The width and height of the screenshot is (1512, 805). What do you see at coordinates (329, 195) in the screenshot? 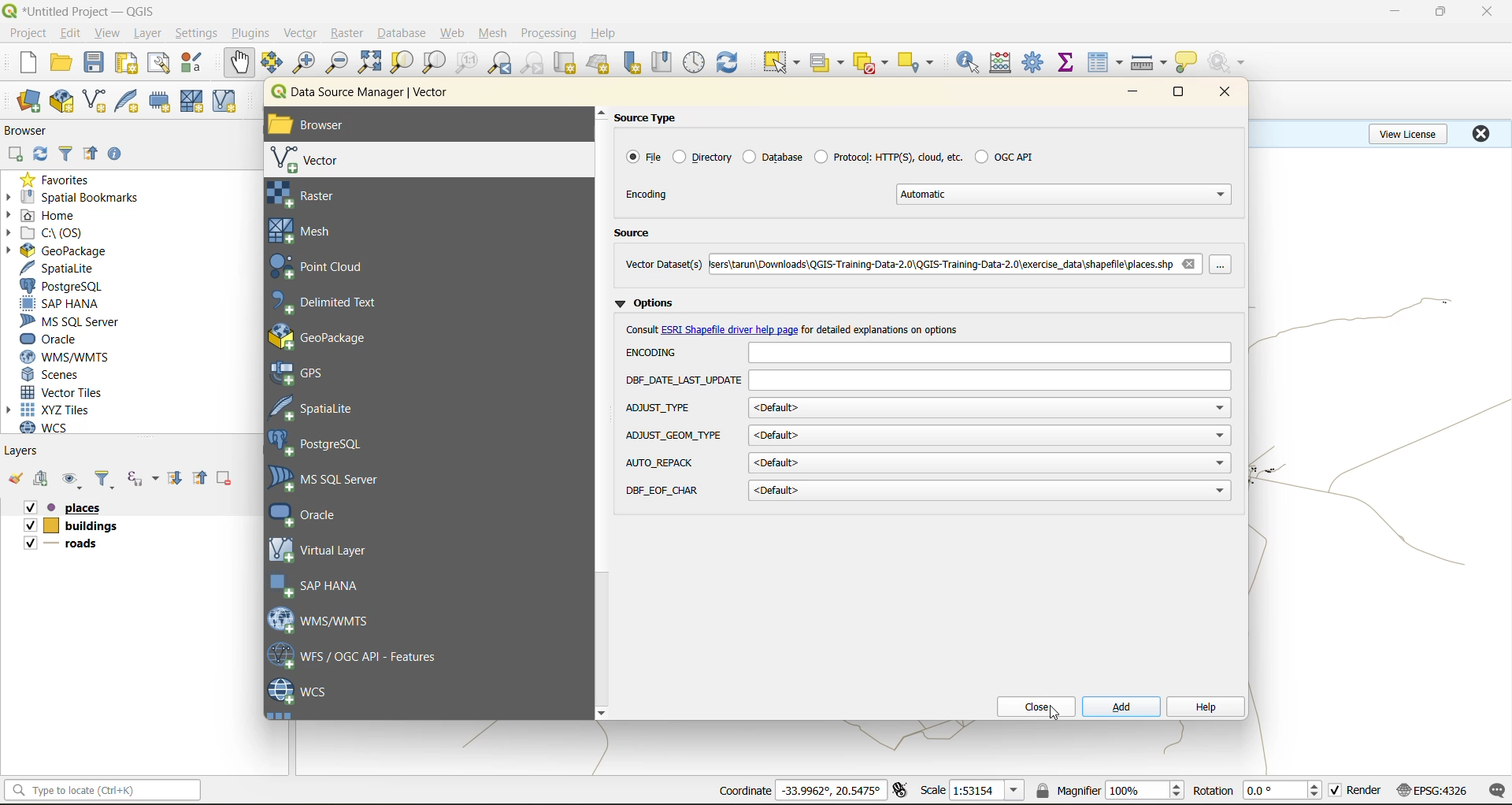
I see `raster` at bounding box center [329, 195].